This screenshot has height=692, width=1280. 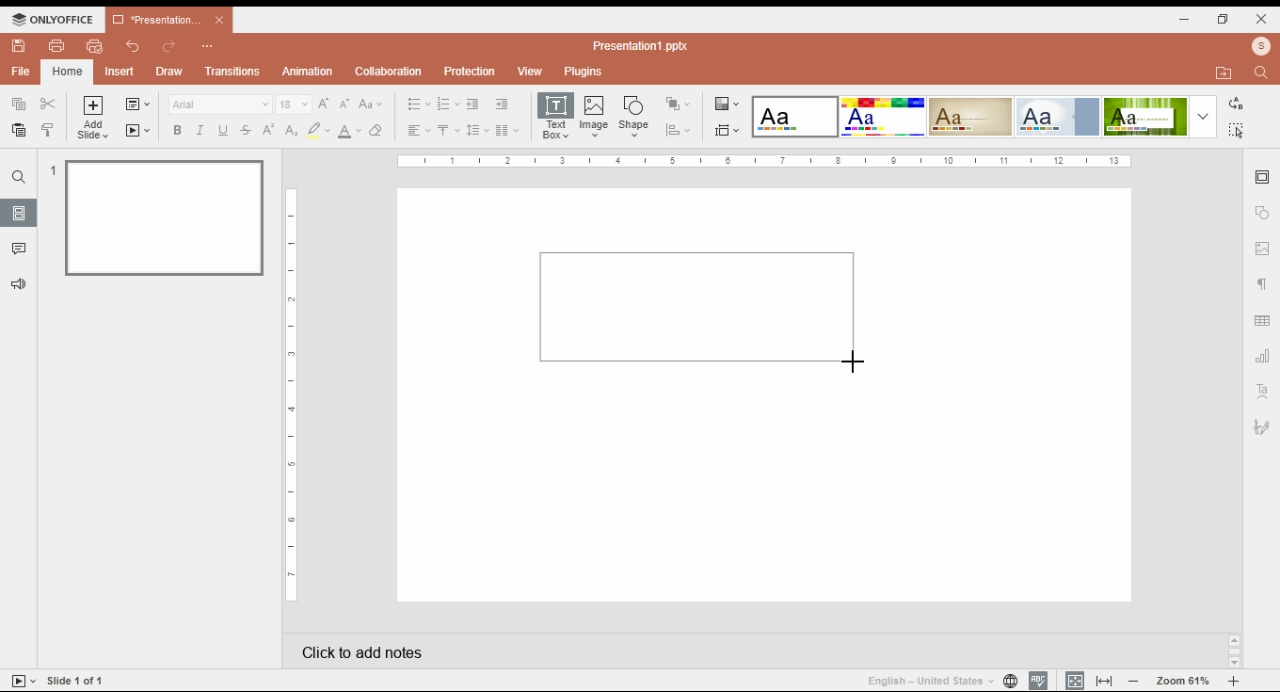 I want to click on increment font size, so click(x=325, y=102).